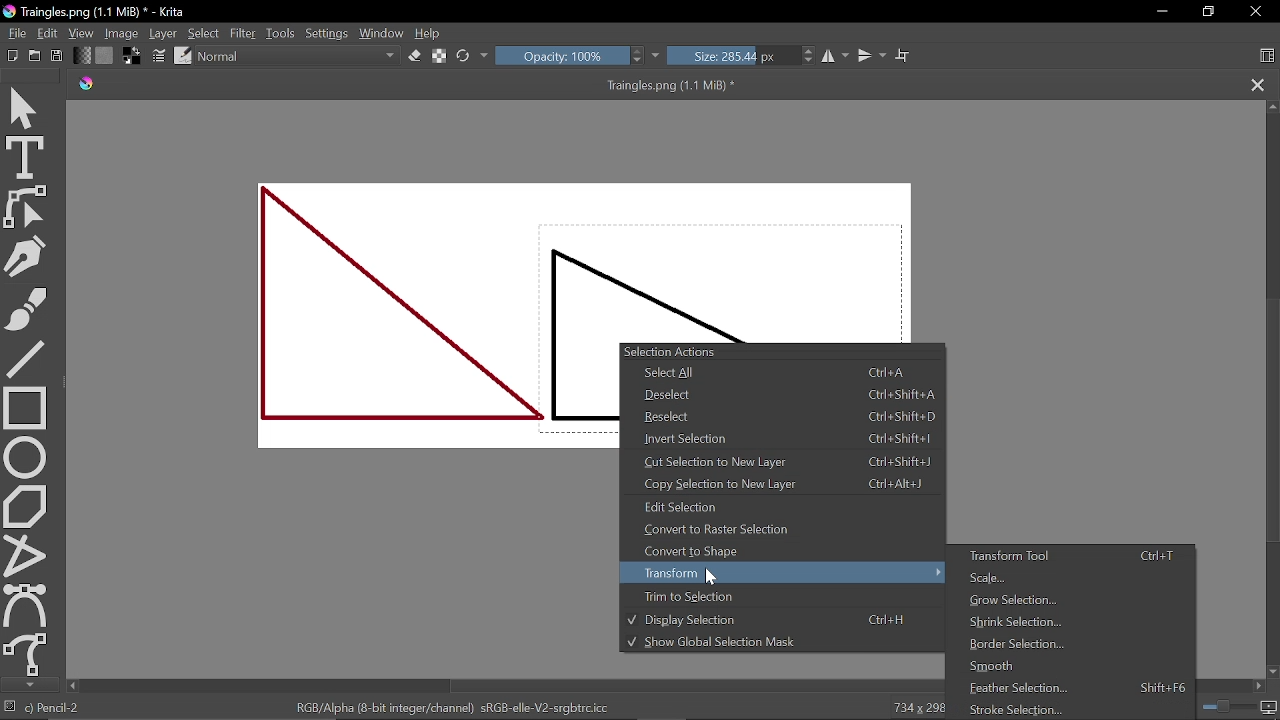  I want to click on Text tool, so click(26, 157).